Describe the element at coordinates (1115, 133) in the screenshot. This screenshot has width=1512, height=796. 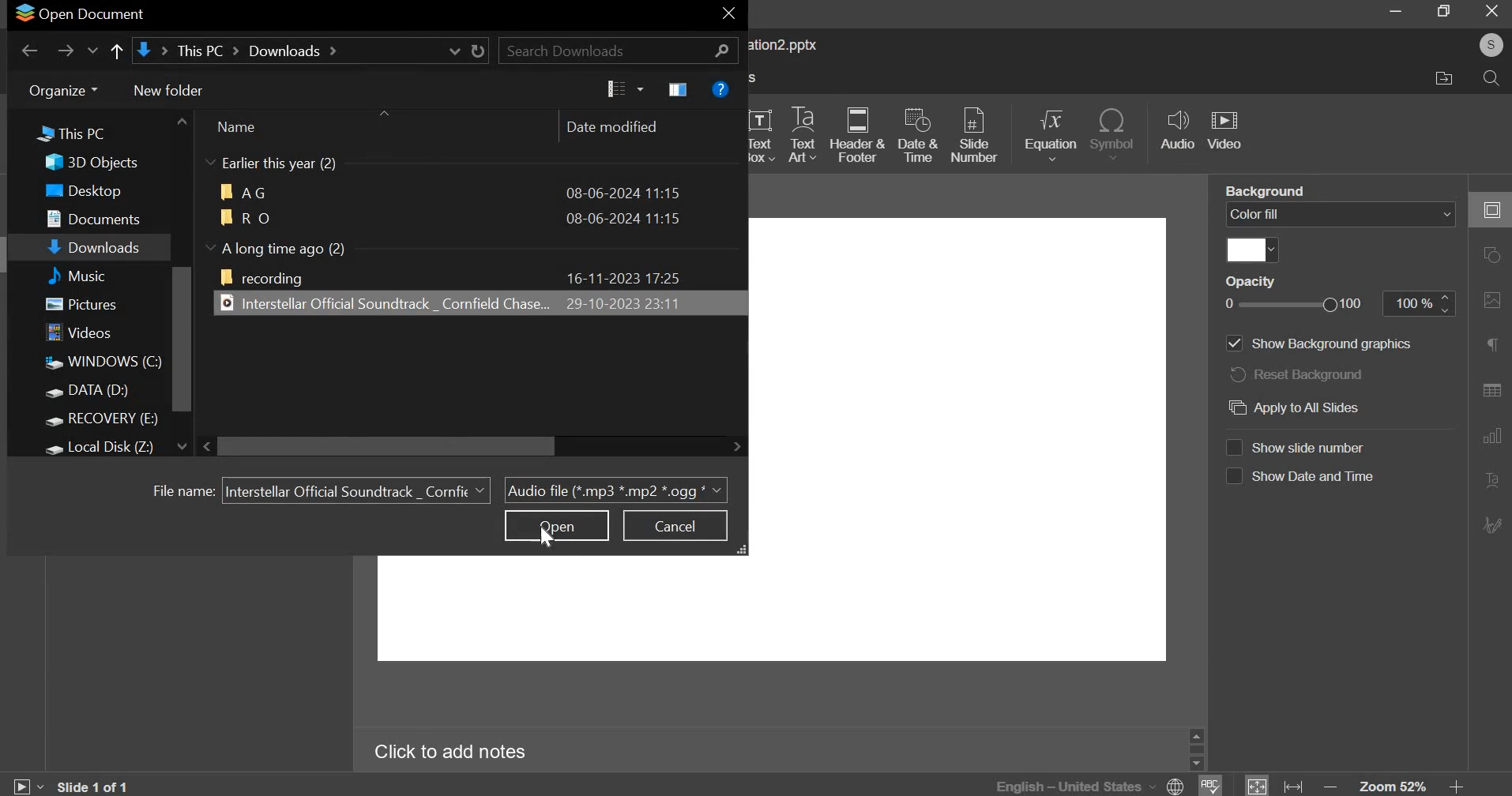
I see `insert symbol` at that location.